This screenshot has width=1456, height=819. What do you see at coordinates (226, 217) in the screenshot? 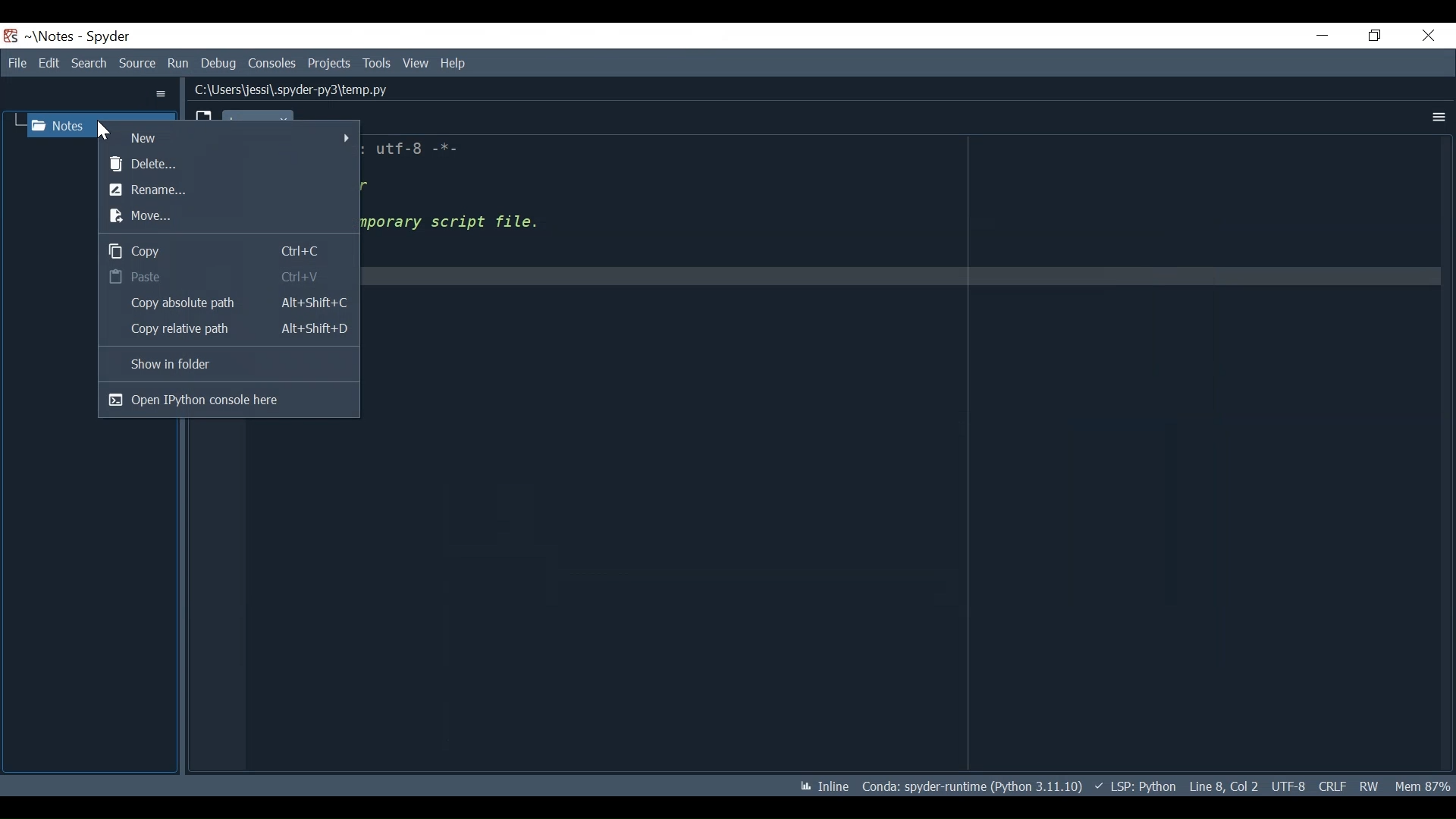
I see `Move` at bounding box center [226, 217].